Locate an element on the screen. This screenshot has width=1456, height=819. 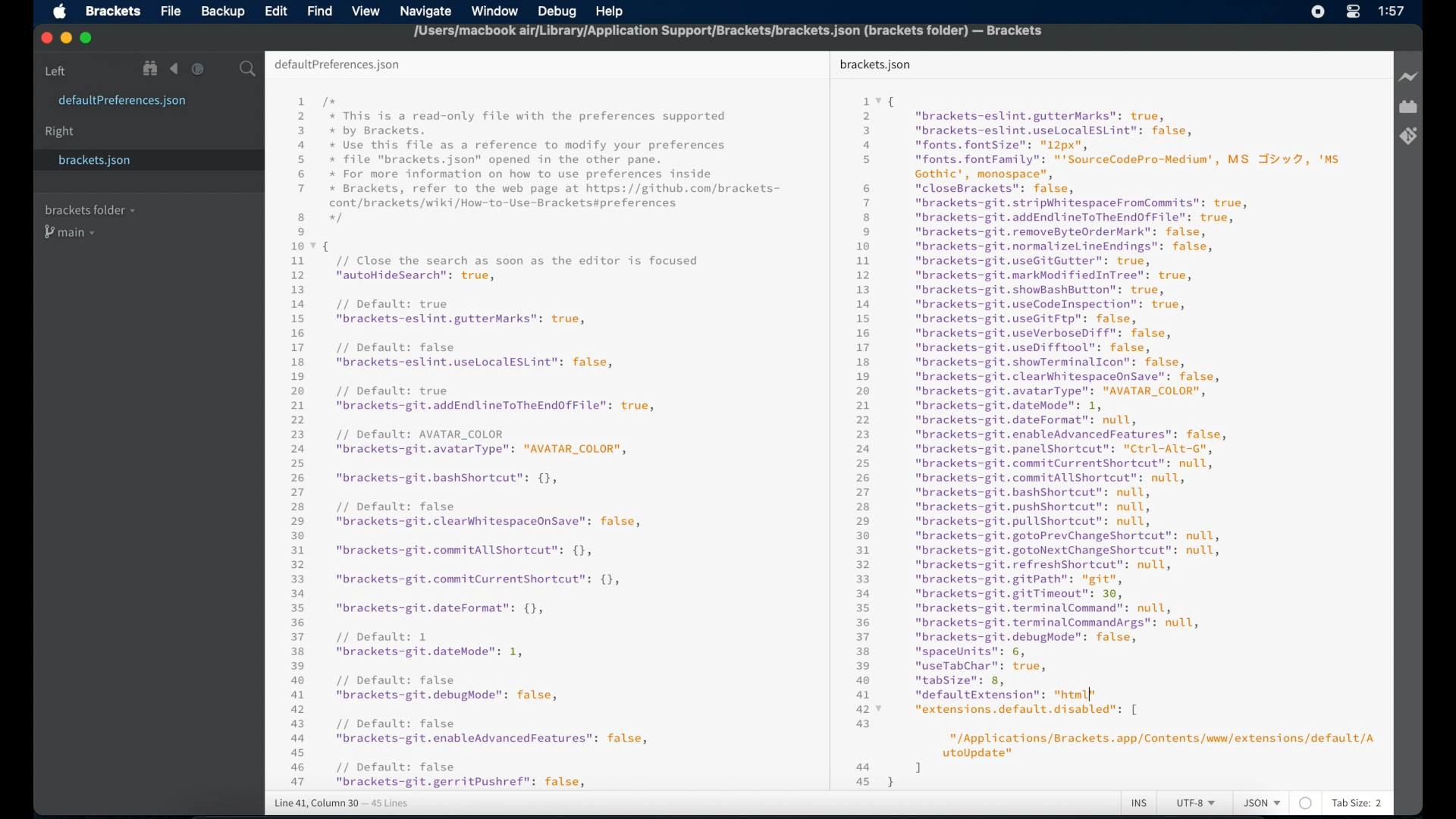
maximize is located at coordinates (87, 39).